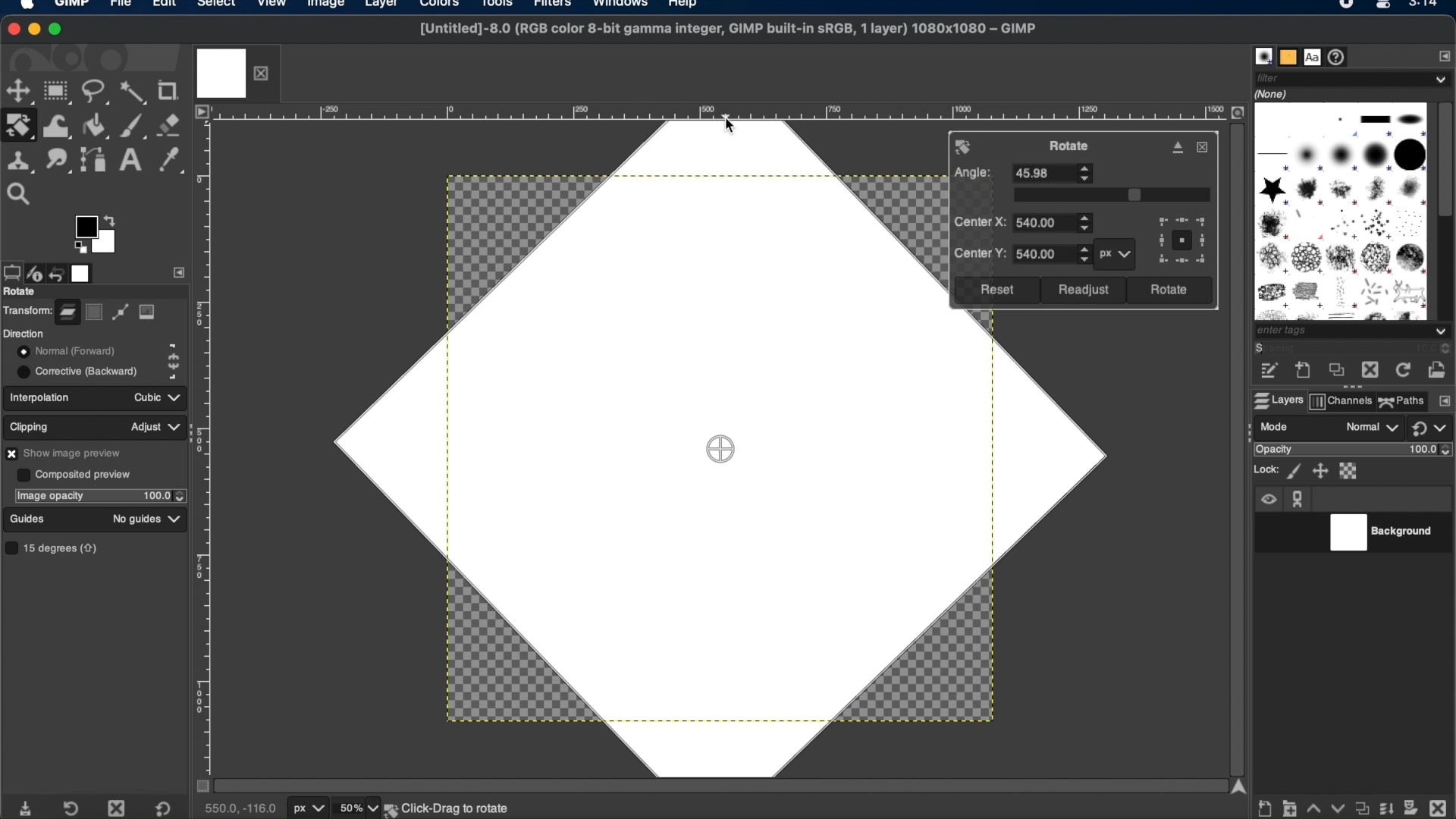  Describe the element at coordinates (1290, 807) in the screenshot. I see `create a new layer group` at that location.